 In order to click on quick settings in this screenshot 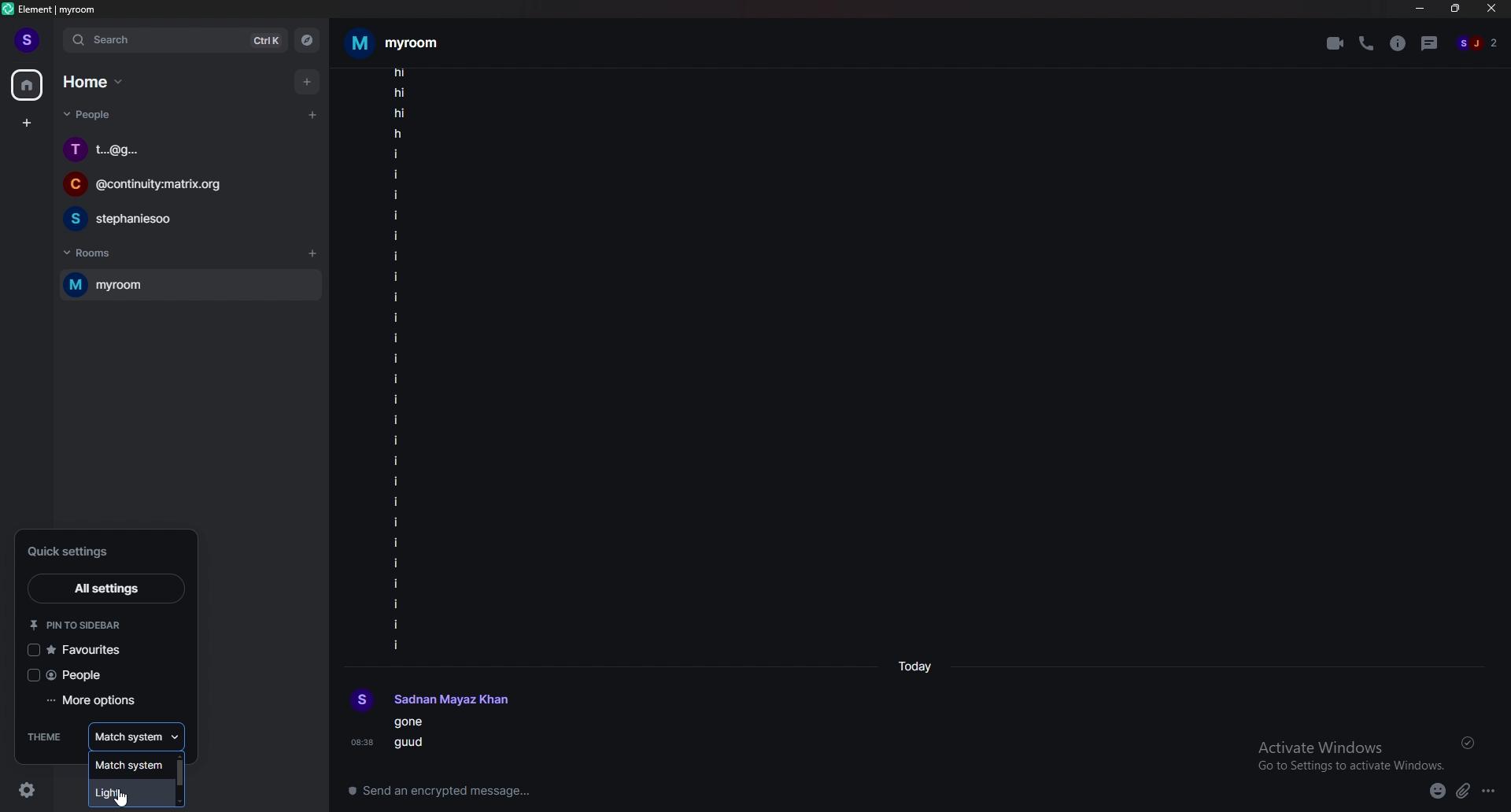, I will do `click(96, 551)`.